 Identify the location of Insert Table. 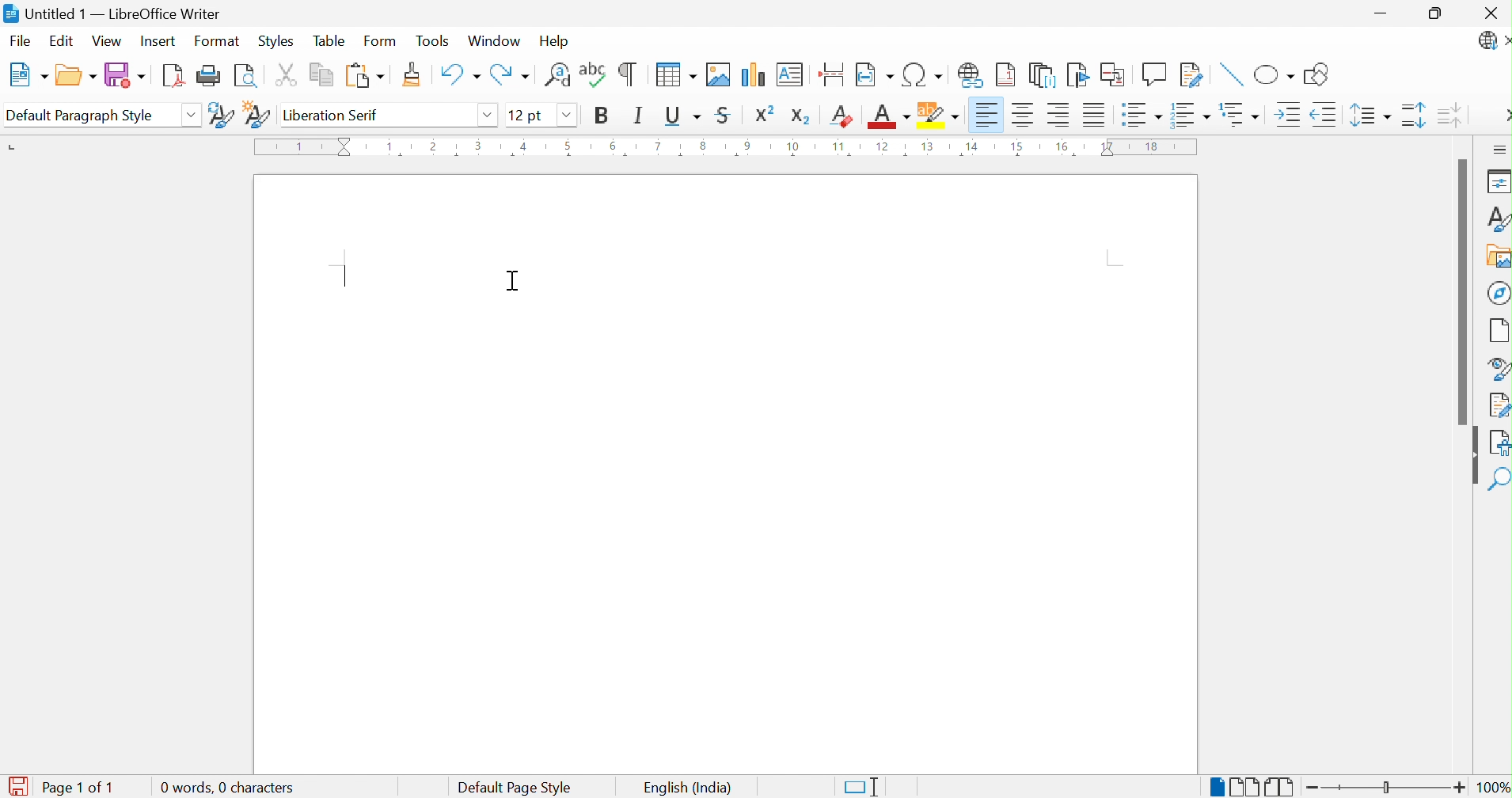
(674, 74).